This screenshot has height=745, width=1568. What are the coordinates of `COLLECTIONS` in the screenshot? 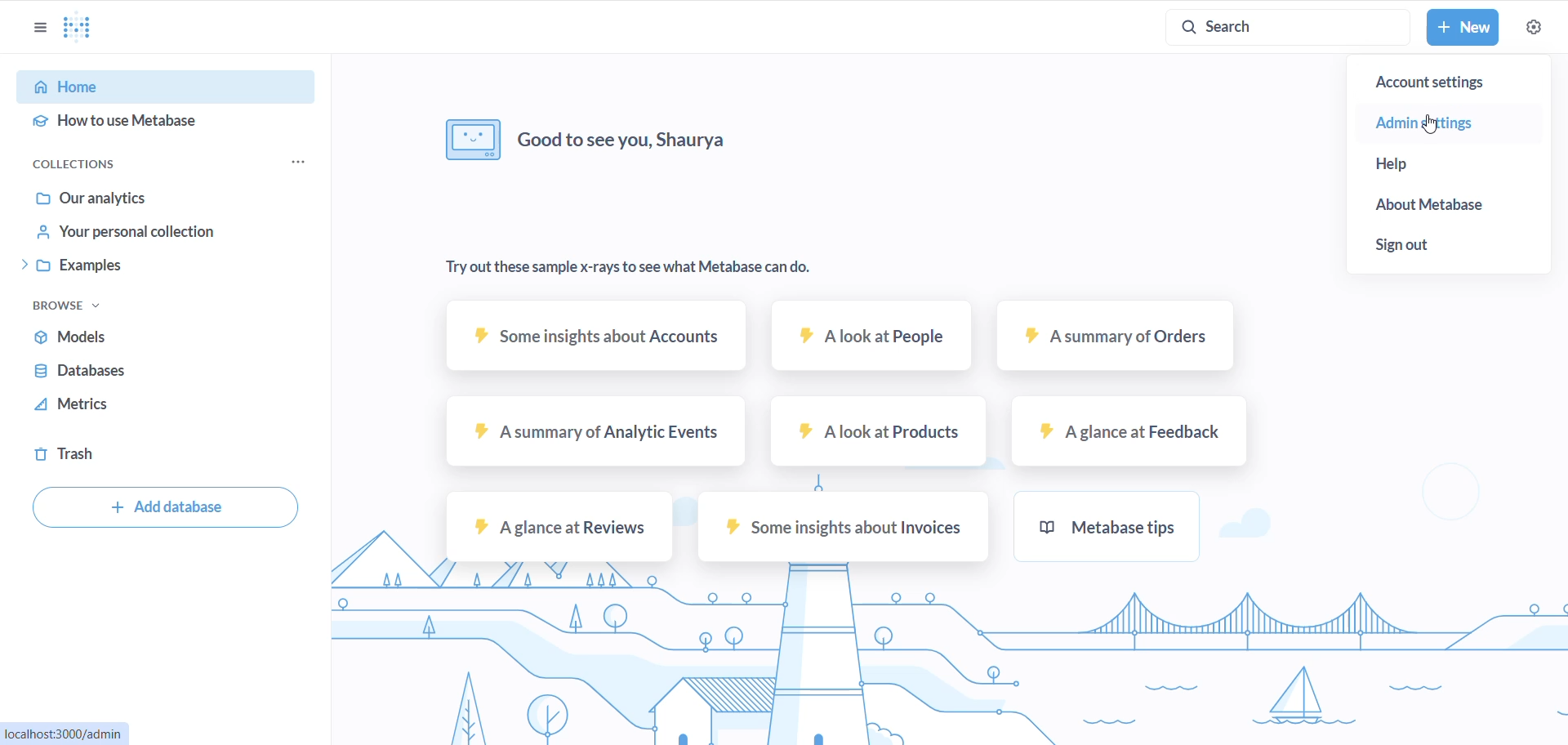 It's located at (90, 164).